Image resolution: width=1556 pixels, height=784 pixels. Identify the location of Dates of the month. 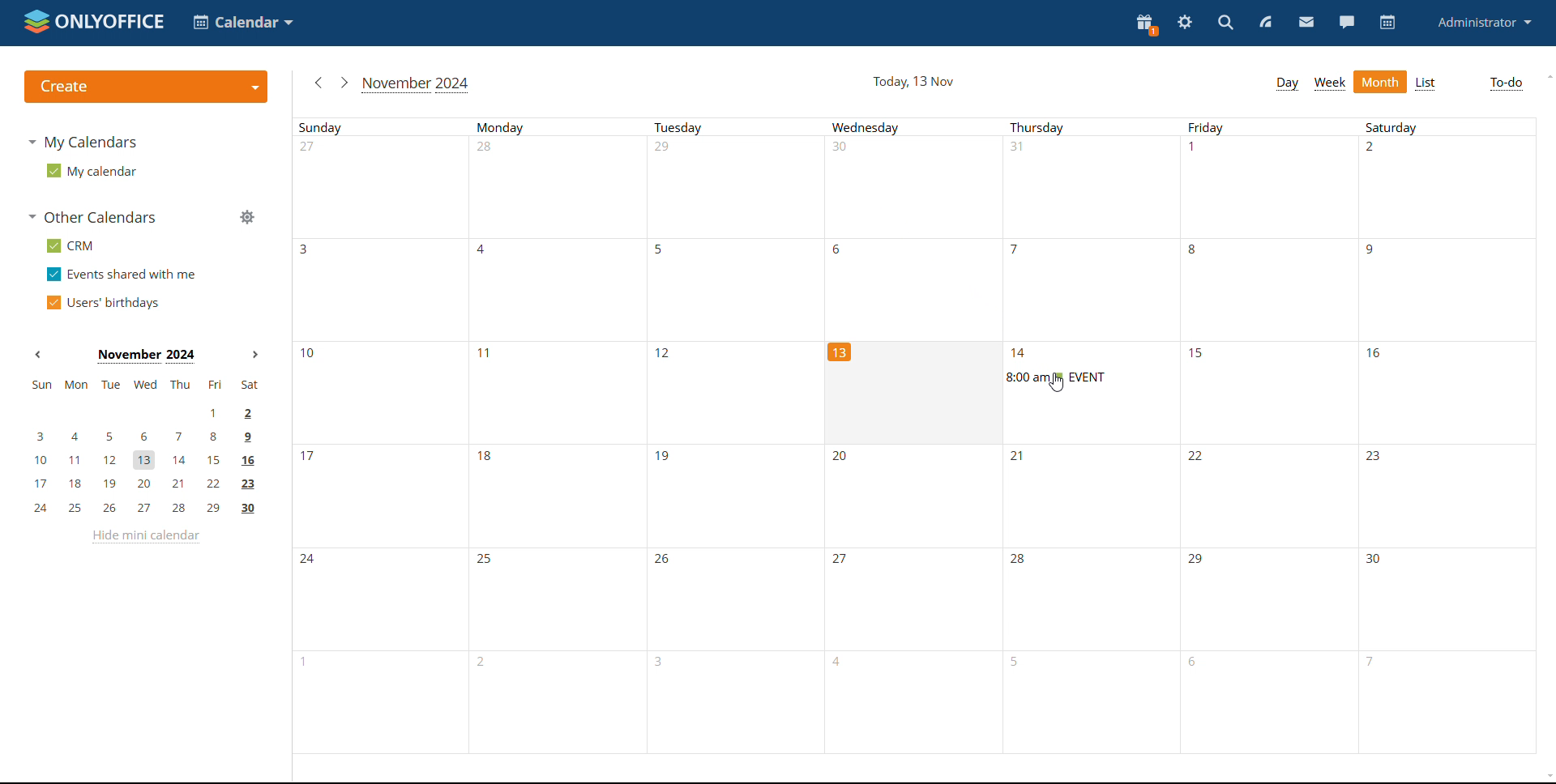
(1360, 394).